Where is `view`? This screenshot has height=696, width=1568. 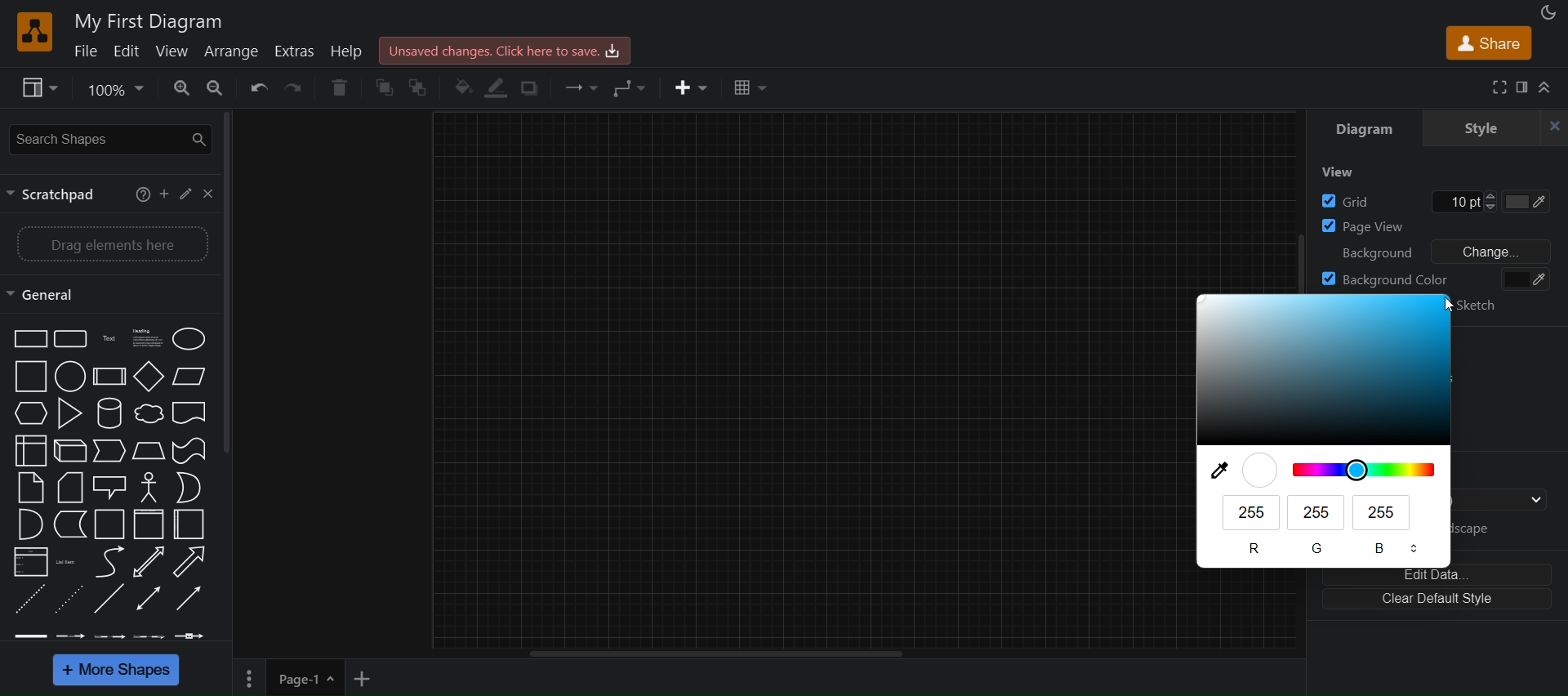
view is located at coordinates (1340, 173).